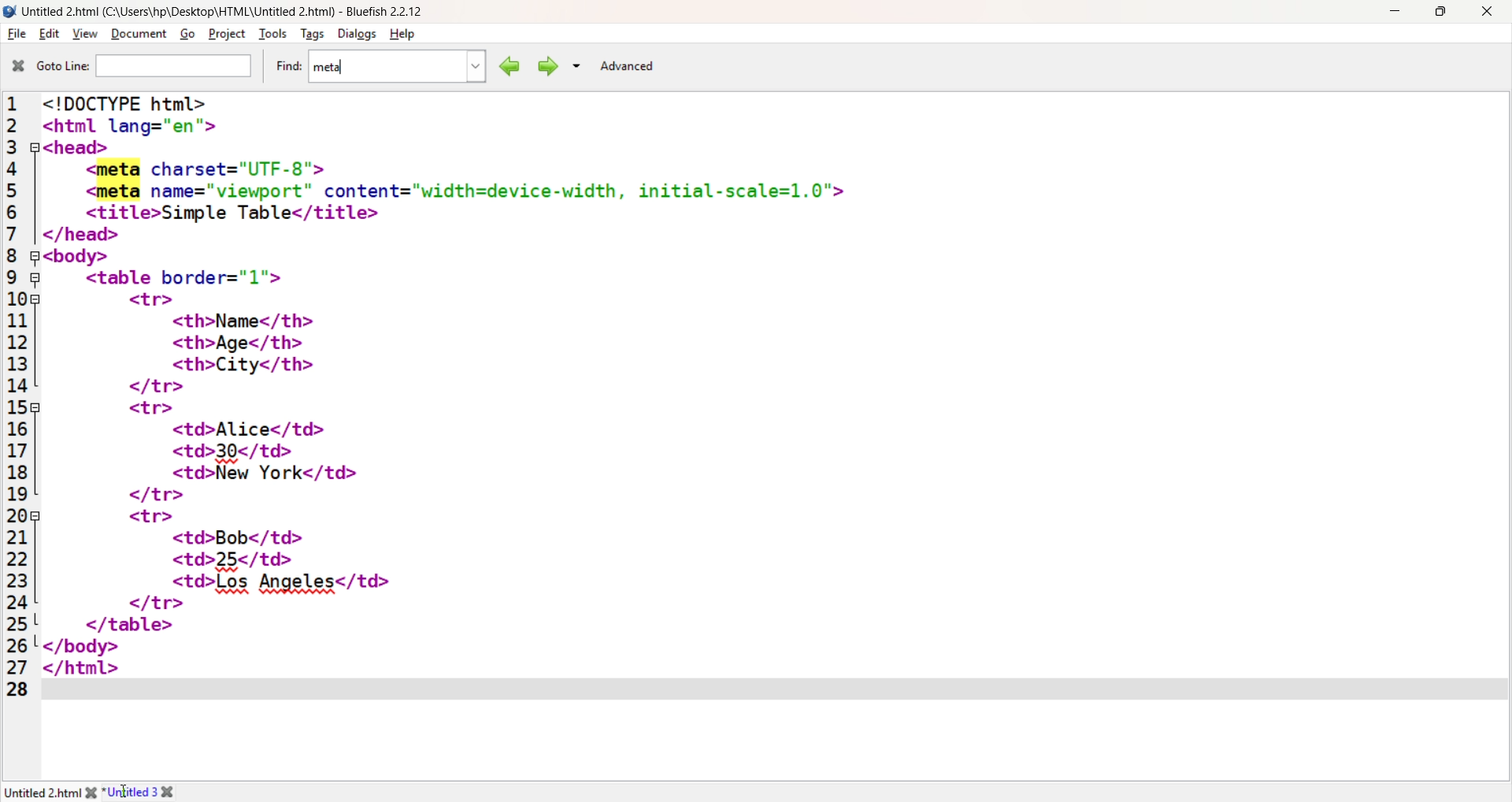  Describe the element at coordinates (332, 66) in the screenshot. I see `Meta` at that location.